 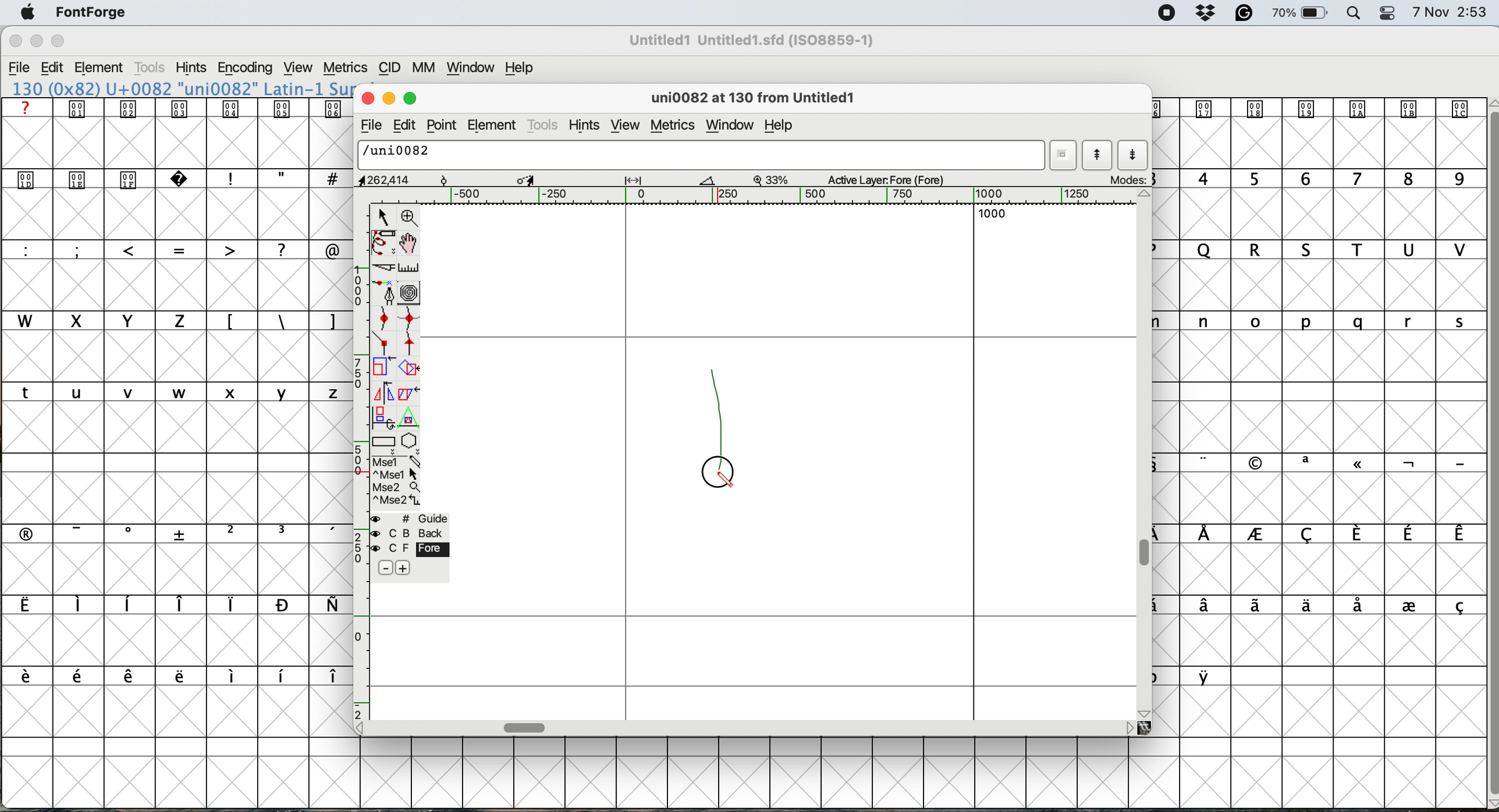 What do you see at coordinates (383, 369) in the screenshot?
I see `scale selection` at bounding box center [383, 369].